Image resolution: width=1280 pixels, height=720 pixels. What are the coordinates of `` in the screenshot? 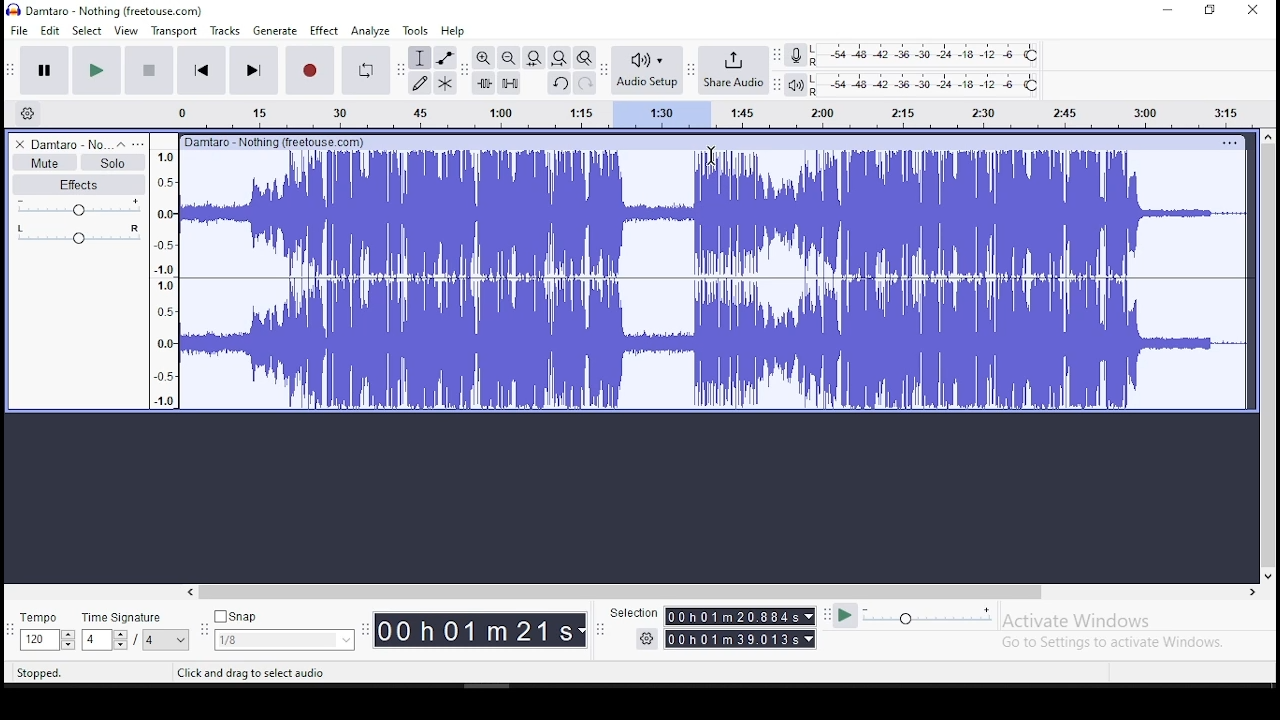 It's located at (604, 70).